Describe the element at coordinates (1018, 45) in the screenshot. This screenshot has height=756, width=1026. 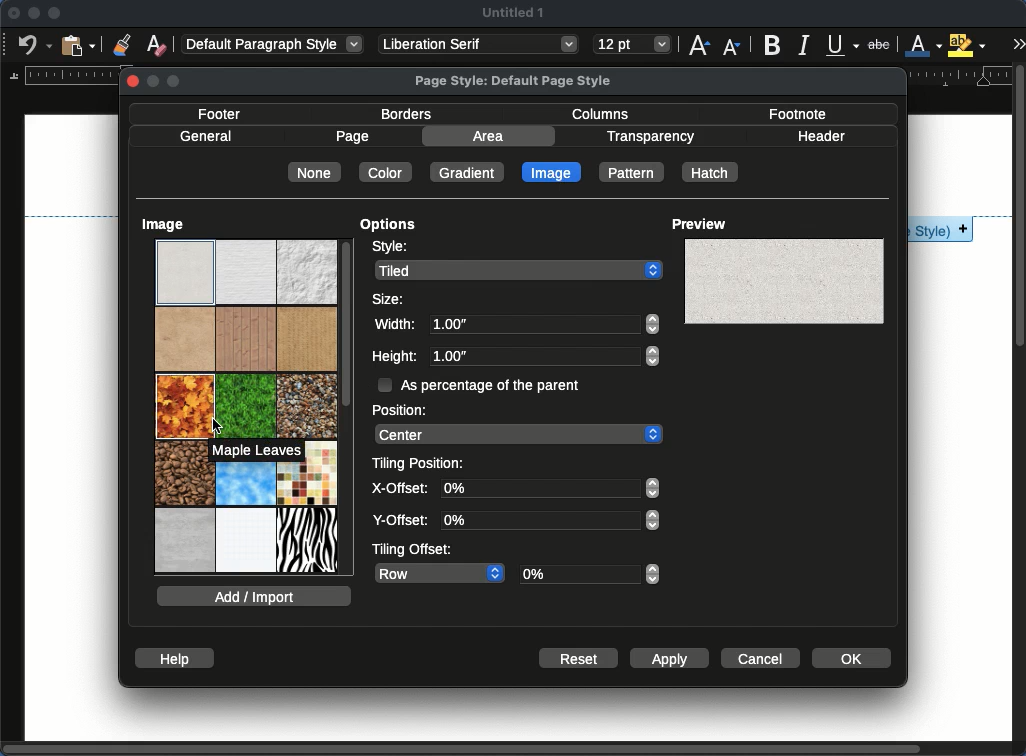
I see `expand` at that location.